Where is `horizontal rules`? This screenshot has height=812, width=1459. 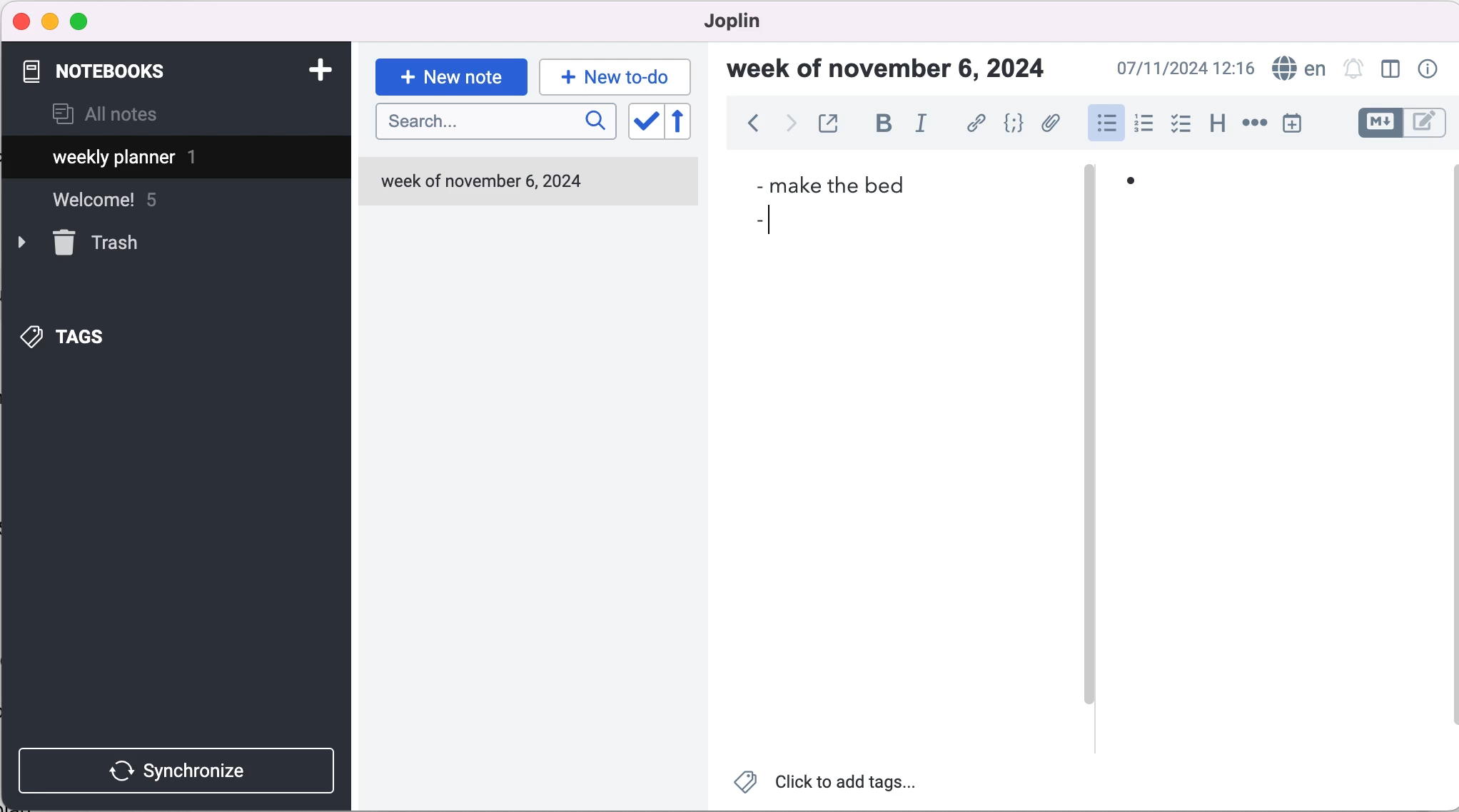
horizontal rules is located at coordinates (1252, 124).